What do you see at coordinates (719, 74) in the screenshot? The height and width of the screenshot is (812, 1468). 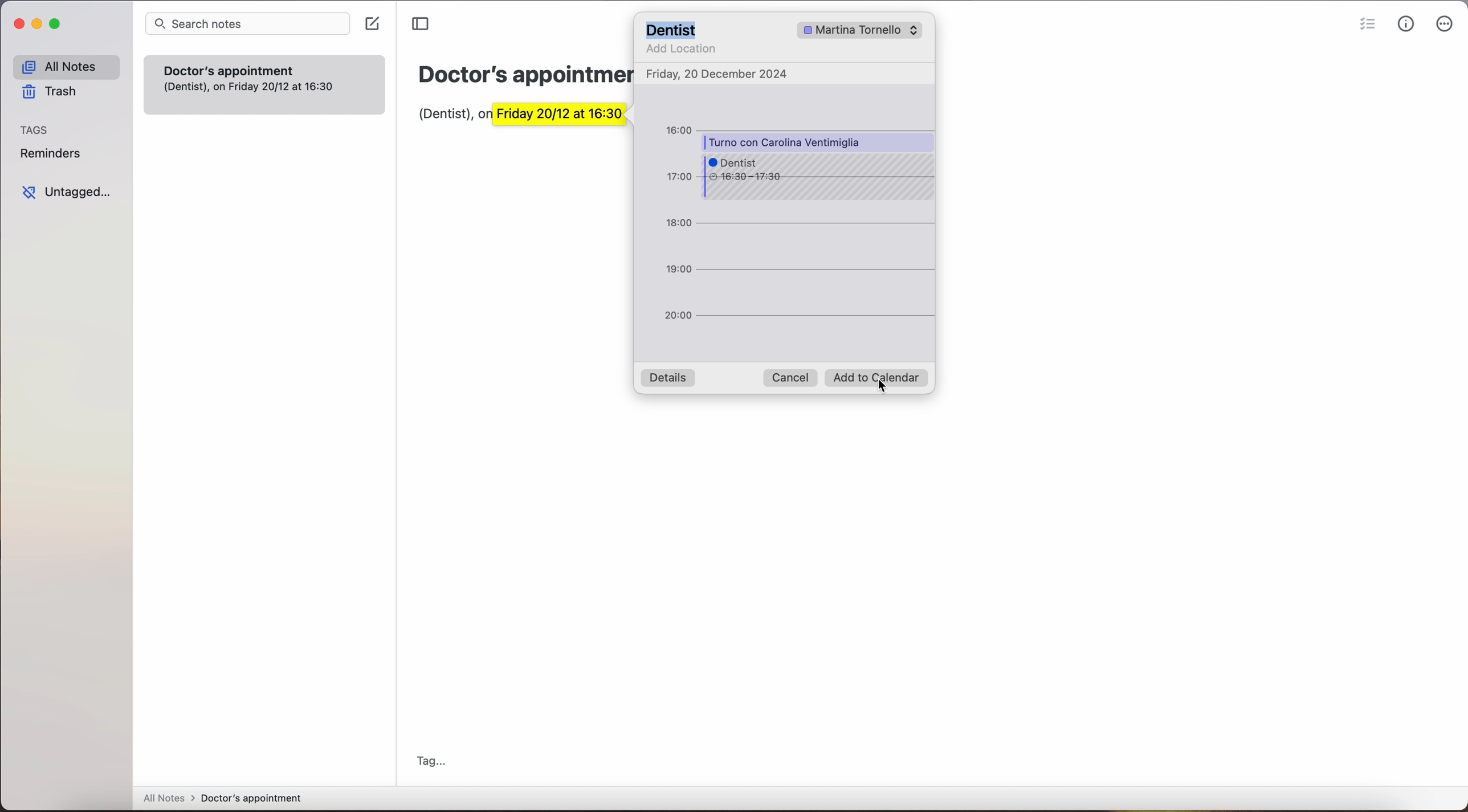 I see `Friday, 20 December 2024` at bounding box center [719, 74].